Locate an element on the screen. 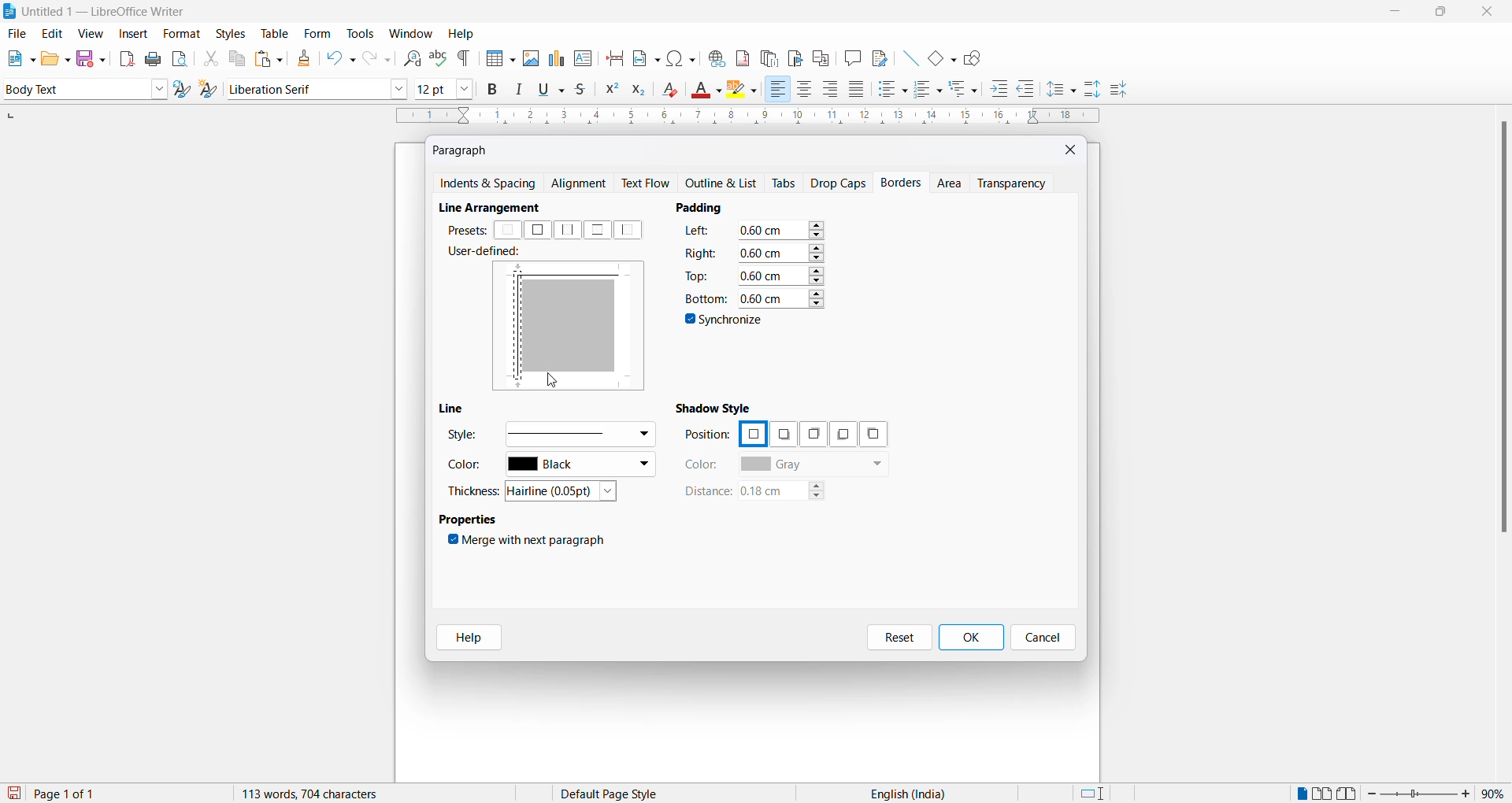 This screenshot has width=1512, height=803. words and character count  is located at coordinates (325, 794).